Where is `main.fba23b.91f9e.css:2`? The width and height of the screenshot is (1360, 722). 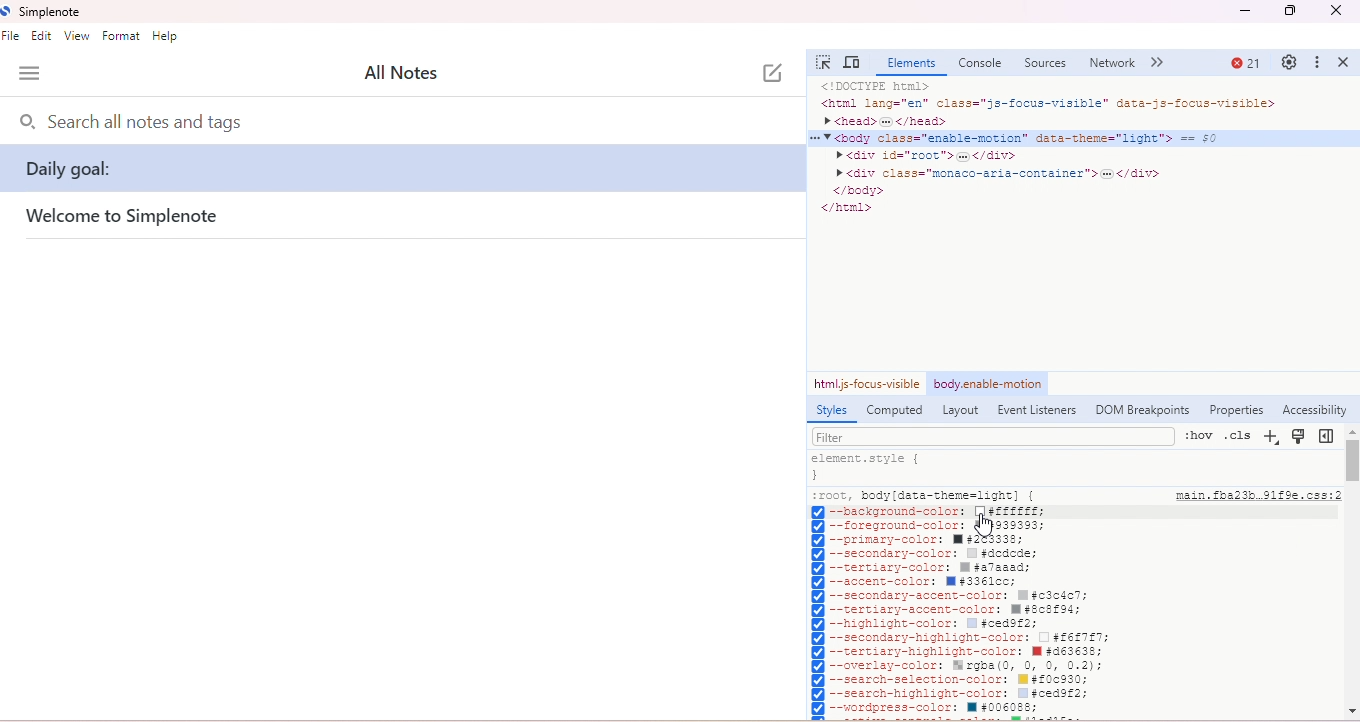
main.fba23b.91f9e.css:2 is located at coordinates (1254, 497).